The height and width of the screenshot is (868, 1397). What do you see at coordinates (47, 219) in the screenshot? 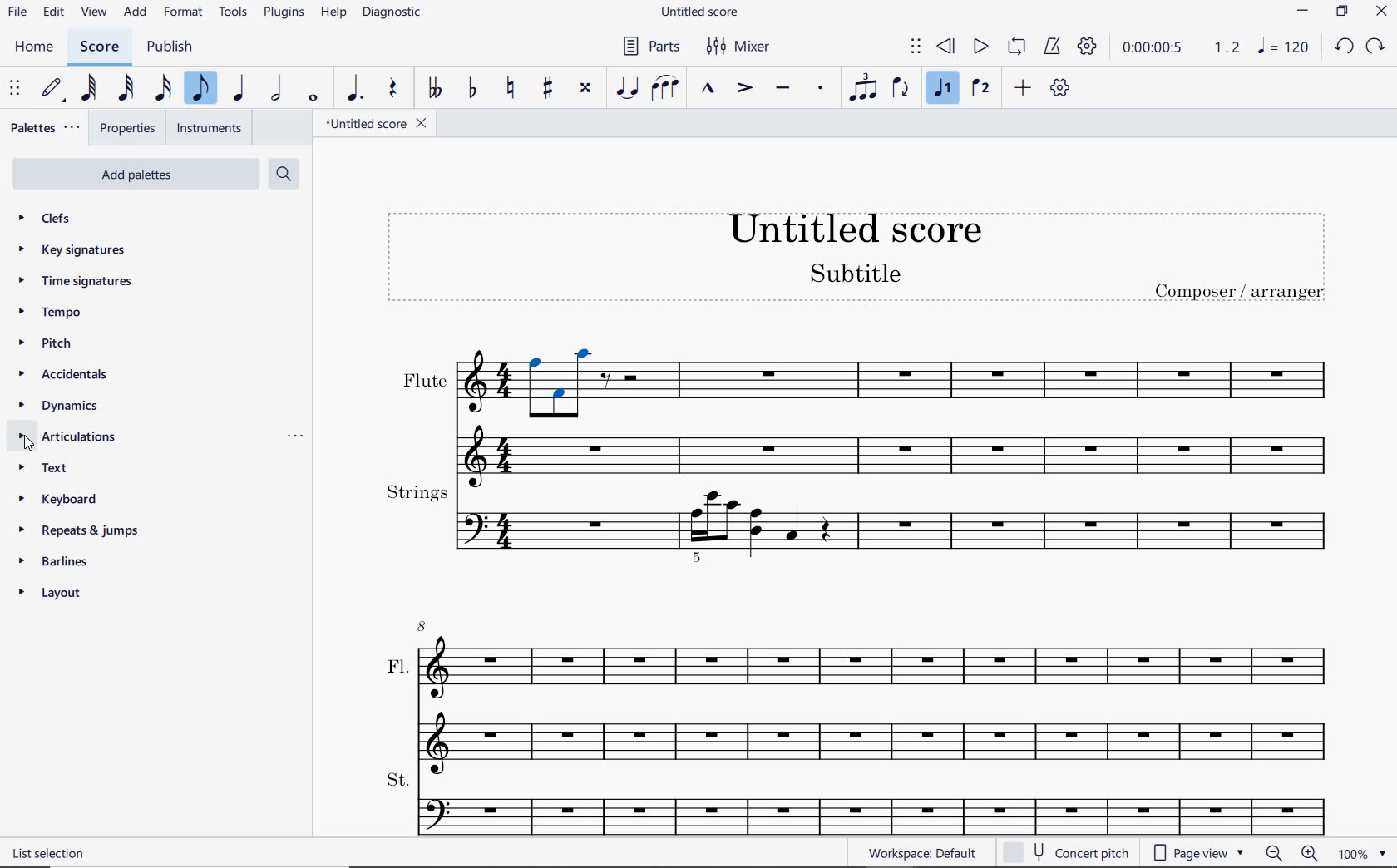
I see `clefs` at bounding box center [47, 219].